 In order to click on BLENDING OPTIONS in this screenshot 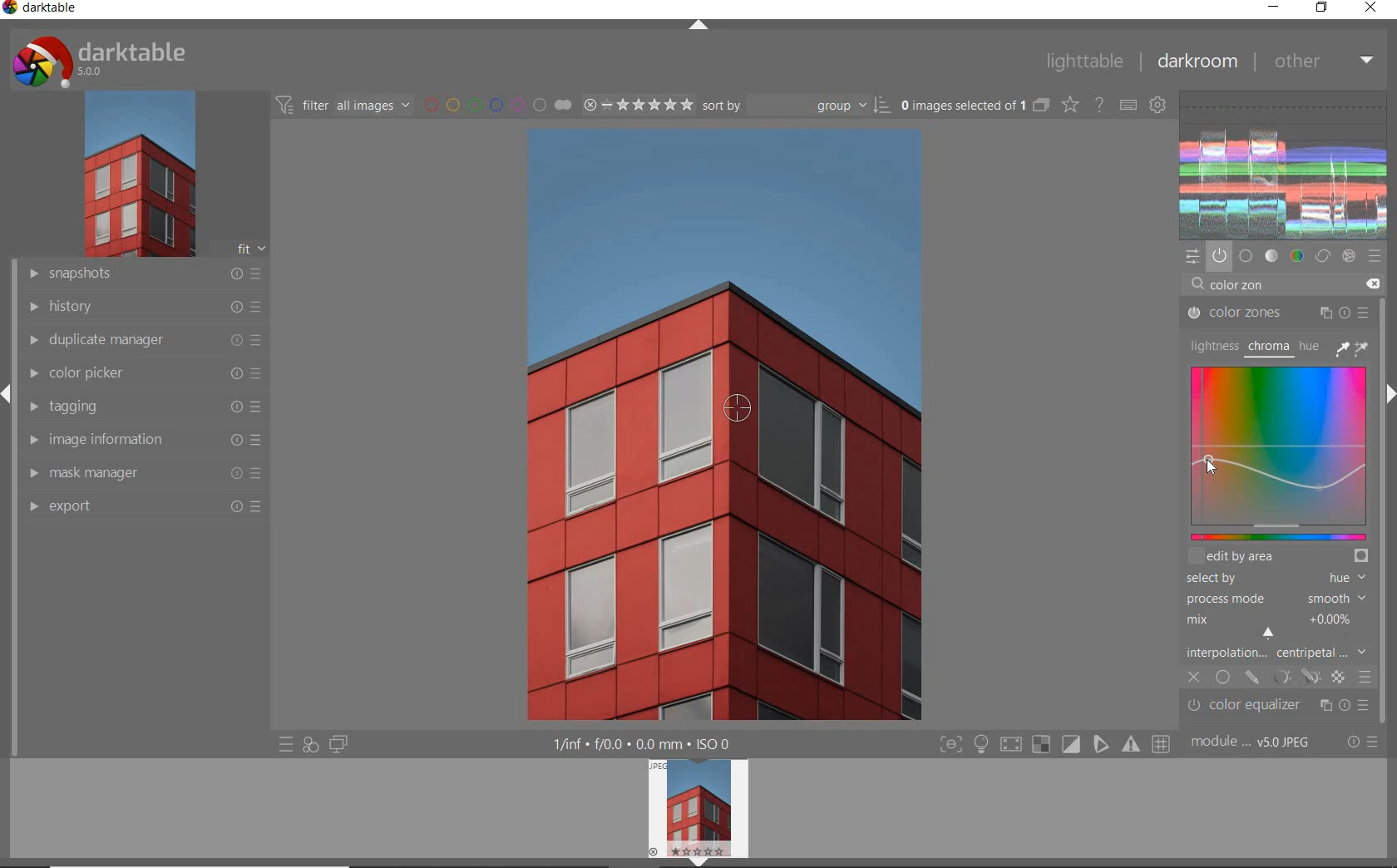, I will do `click(1365, 676)`.